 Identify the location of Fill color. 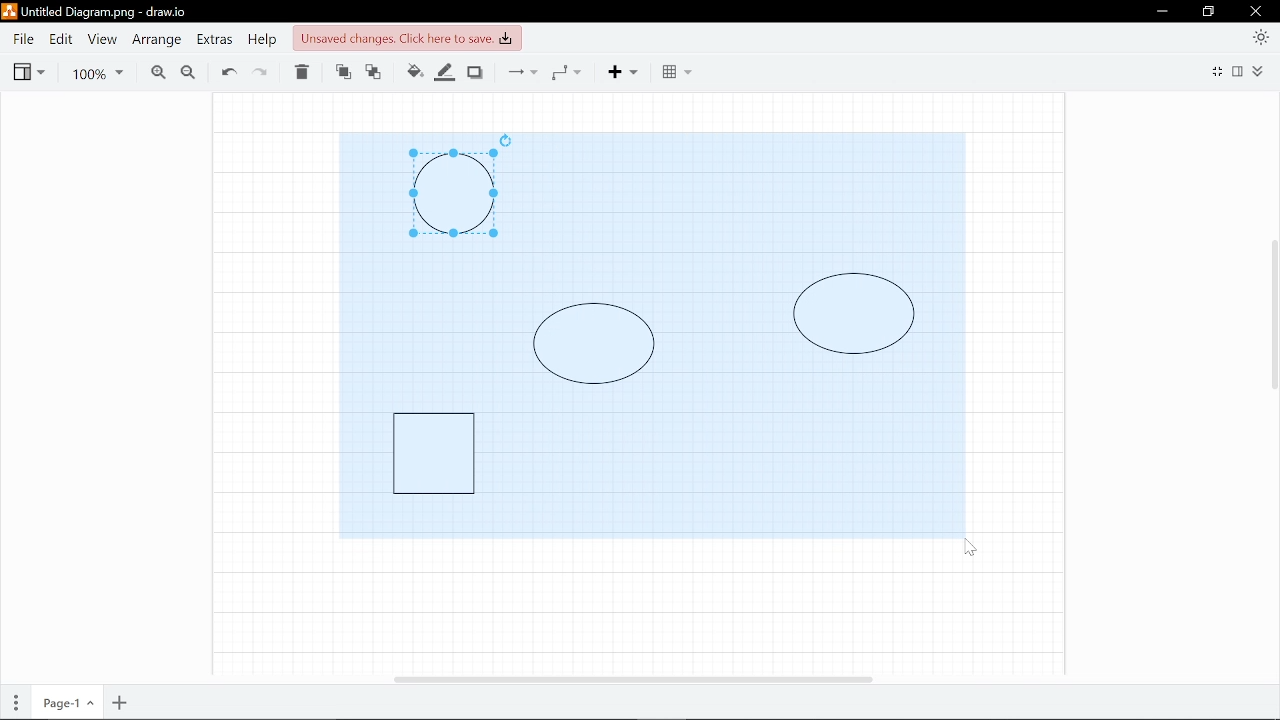
(414, 71).